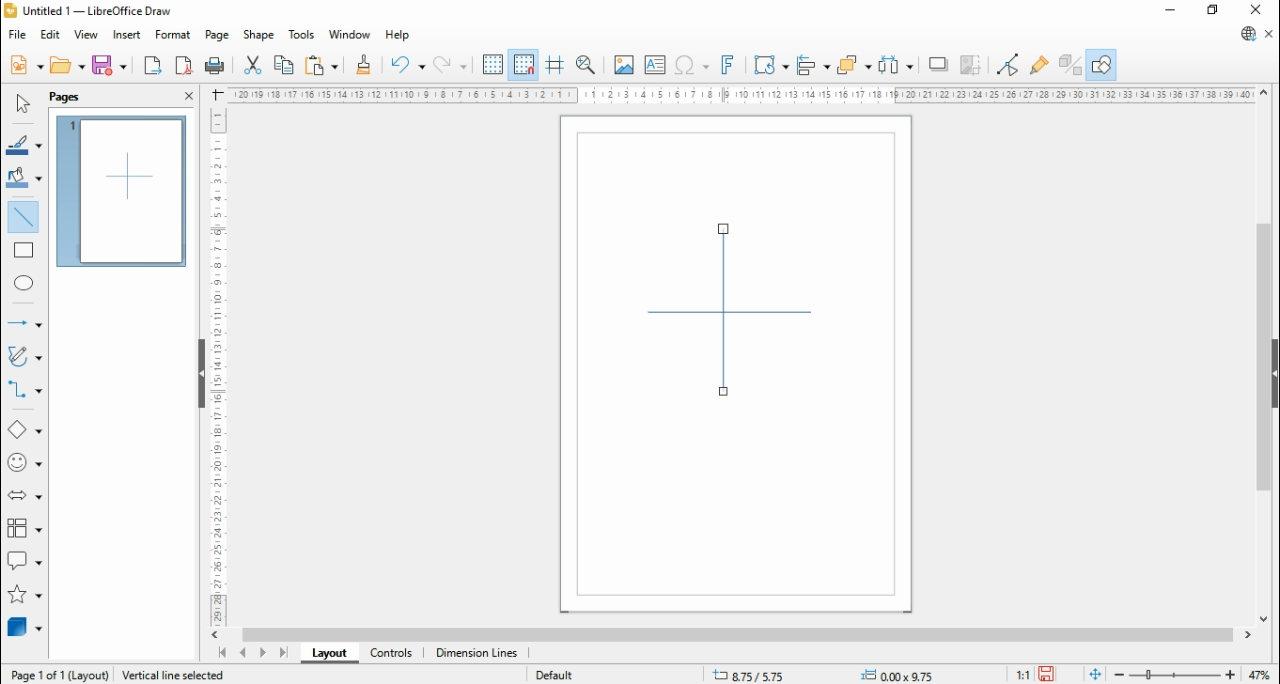 The image size is (1280, 684). I want to click on pan and zoom, so click(586, 64).